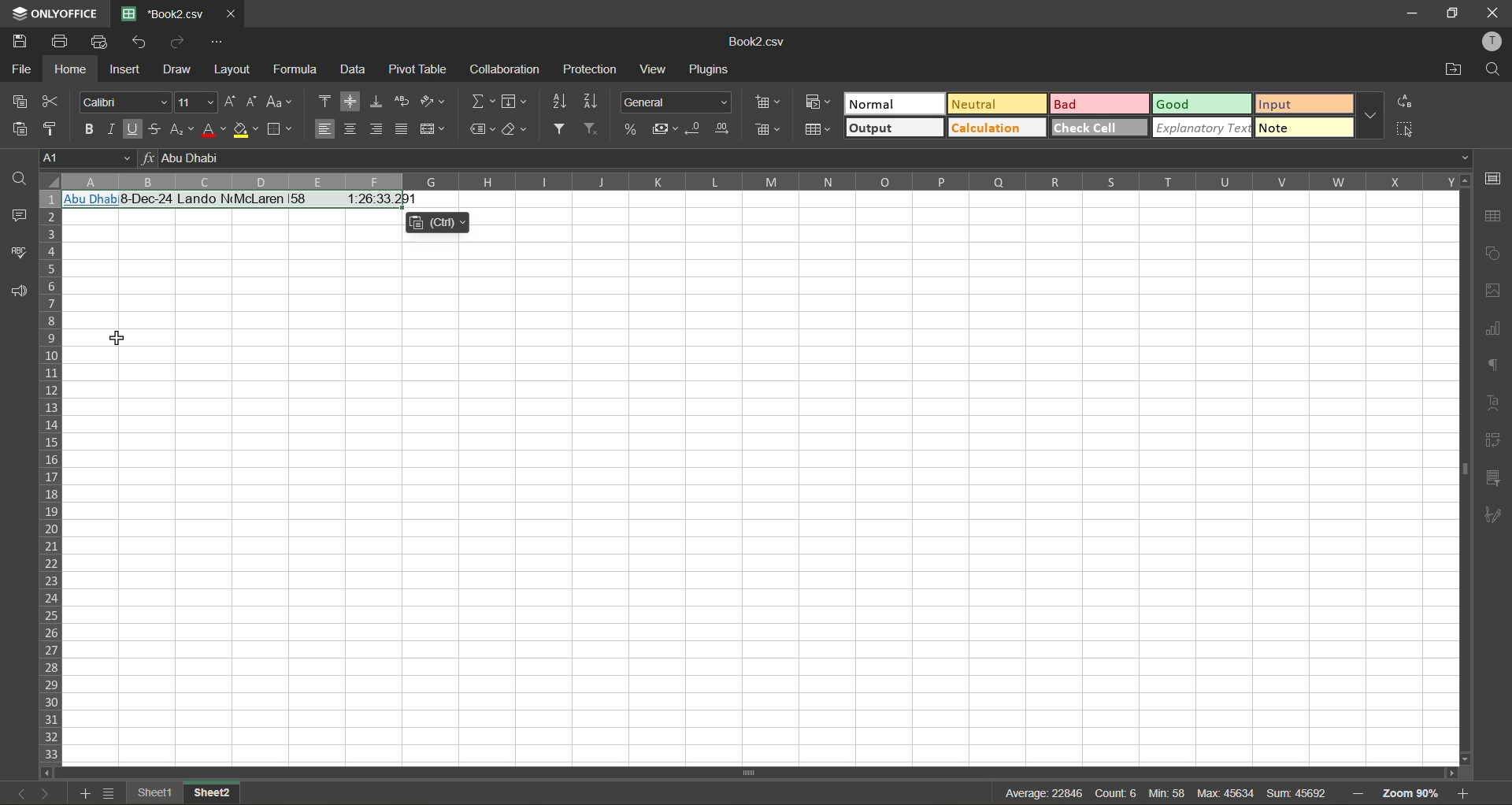 This screenshot has width=1512, height=805. I want to click on normal, so click(893, 105).